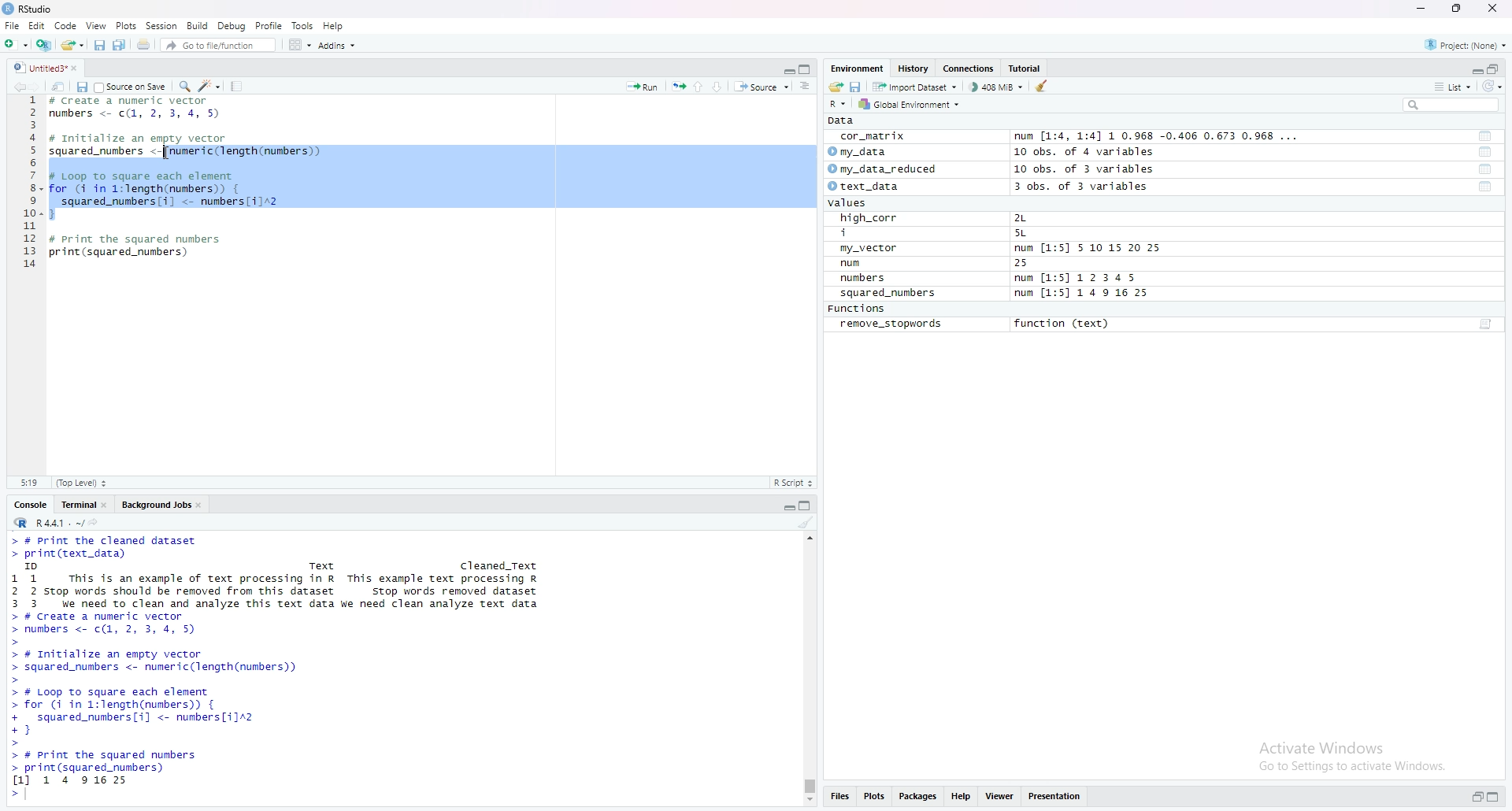 The image size is (1512, 811). Describe the element at coordinates (126, 25) in the screenshot. I see `Plots` at that location.